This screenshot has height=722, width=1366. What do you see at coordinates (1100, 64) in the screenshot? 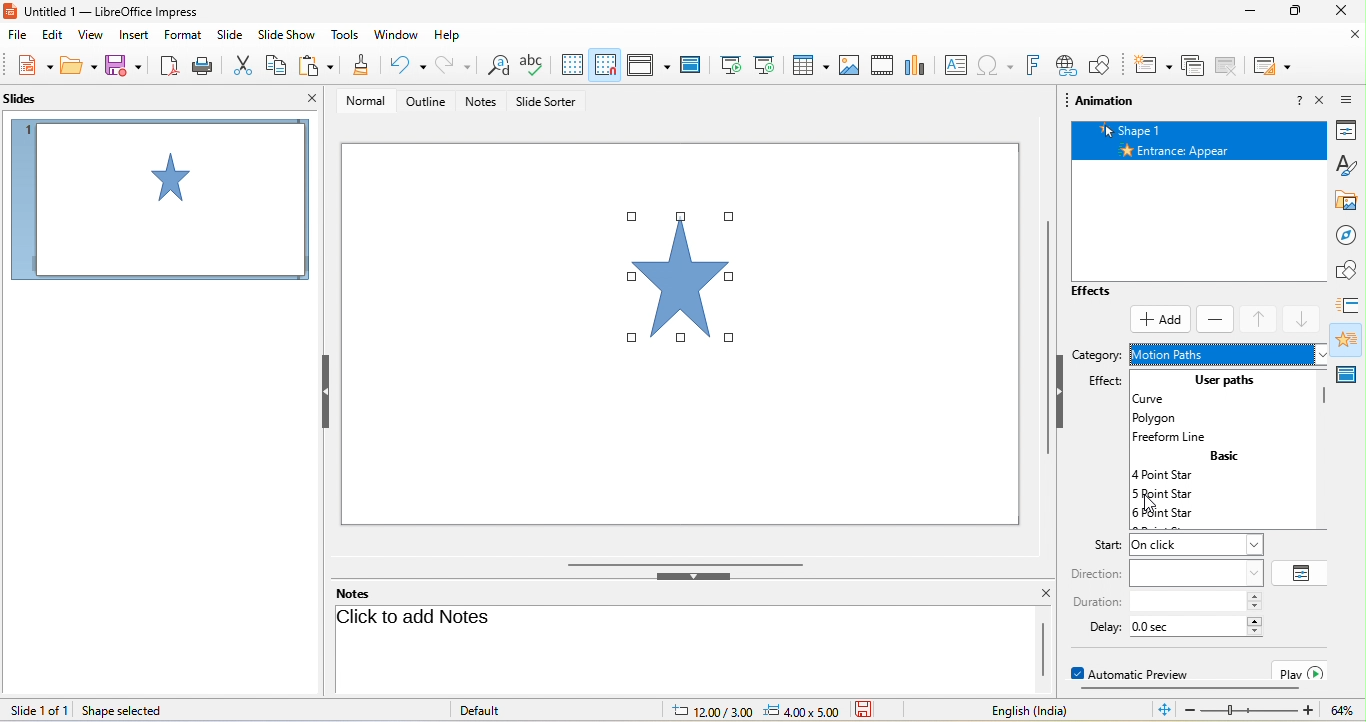
I see `show draw function` at bounding box center [1100, 64].